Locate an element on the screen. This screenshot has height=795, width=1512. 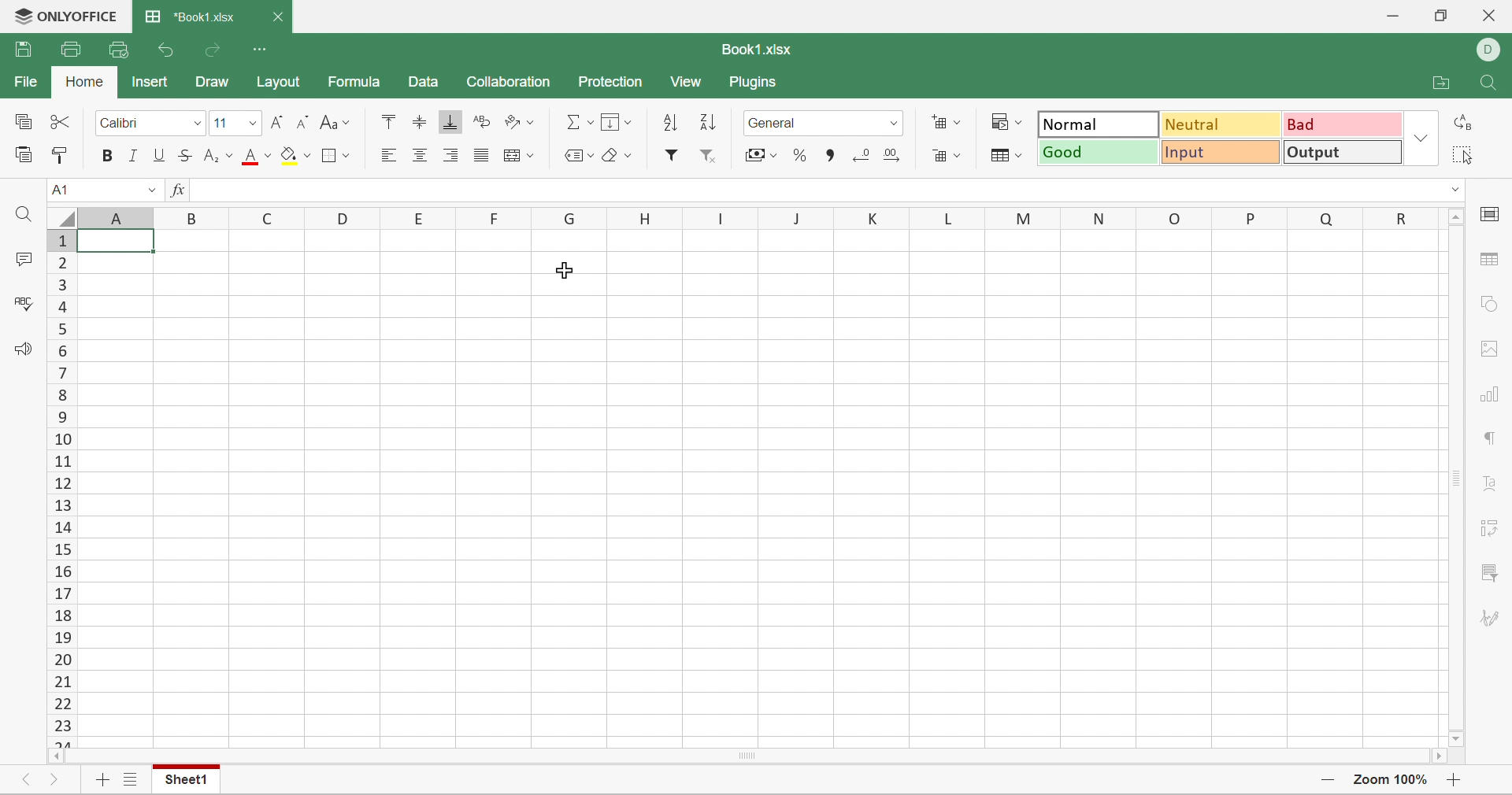
Replace is located at coordinates (1461, 124).